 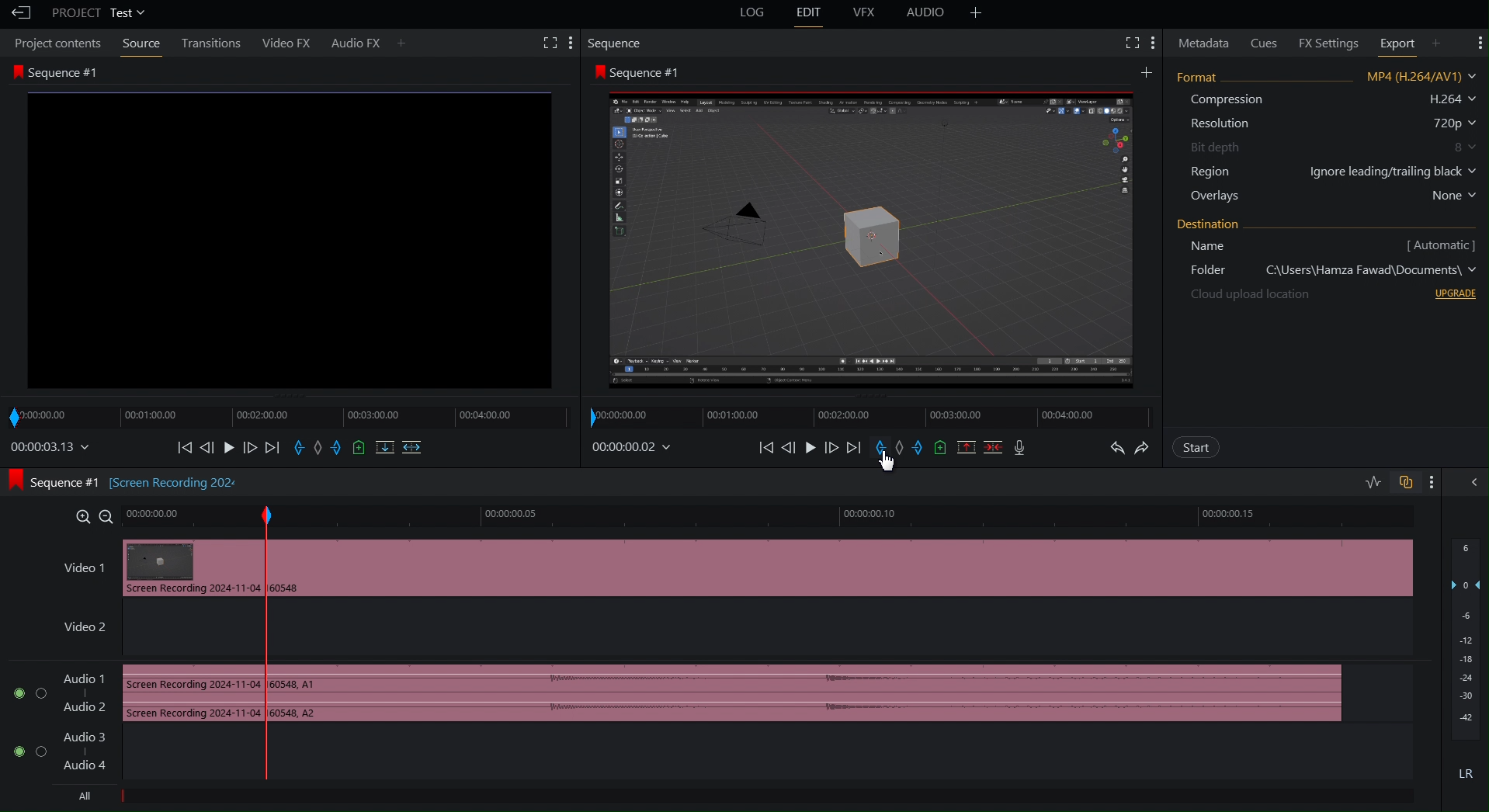 I want to click on Start, so click(x=1196, y=447).